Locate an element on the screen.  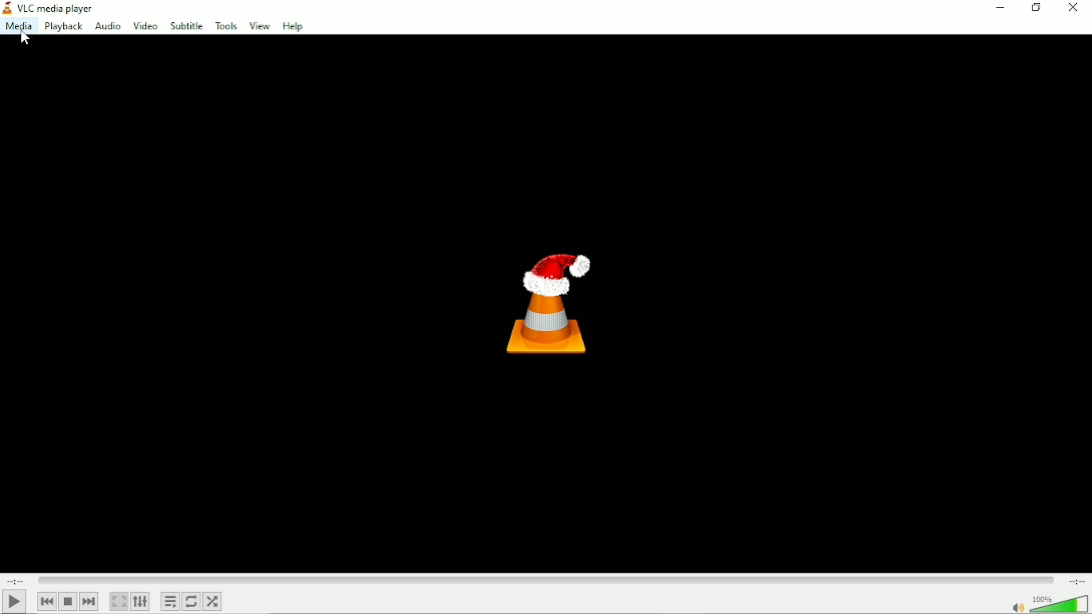
Stop playback is located at coordinates (68, 601).